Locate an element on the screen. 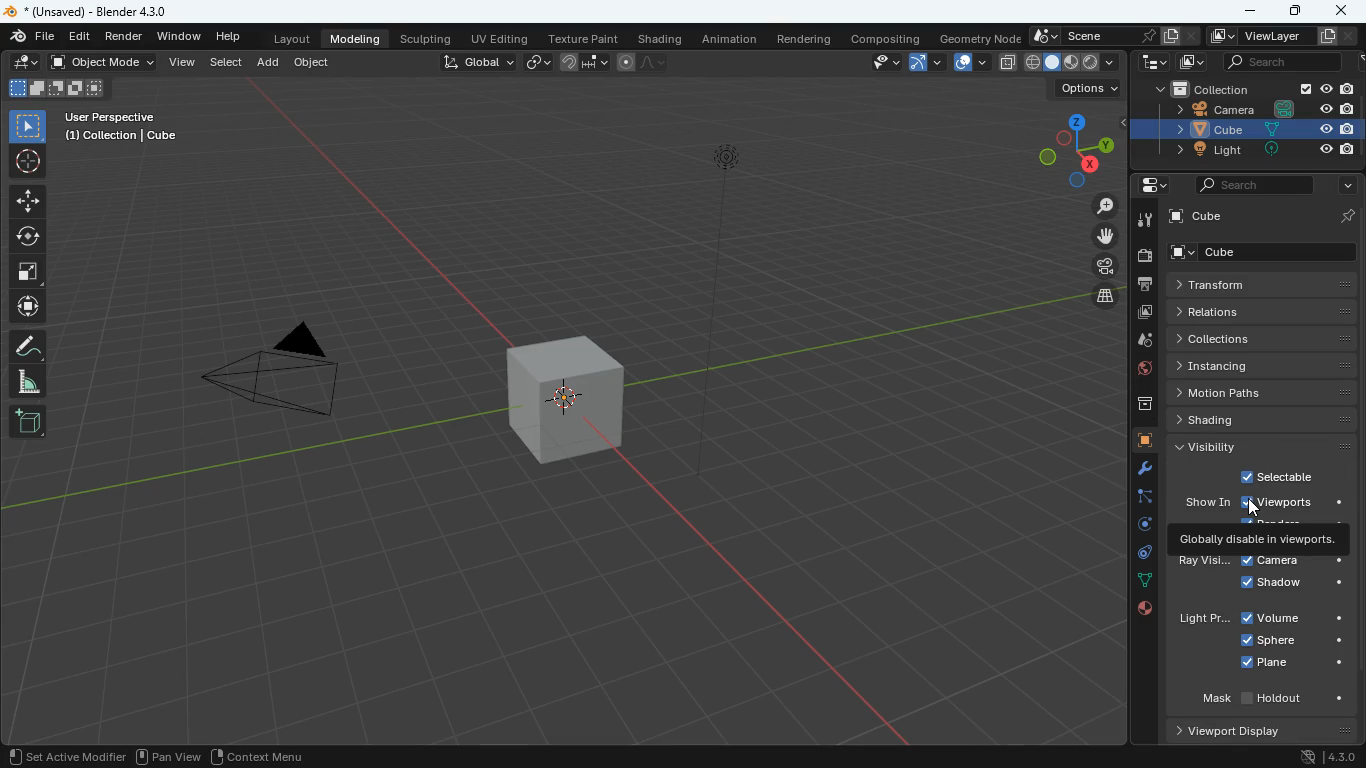 This screenshot has width=1366, height=768. select is located at coordinates (227, 64).